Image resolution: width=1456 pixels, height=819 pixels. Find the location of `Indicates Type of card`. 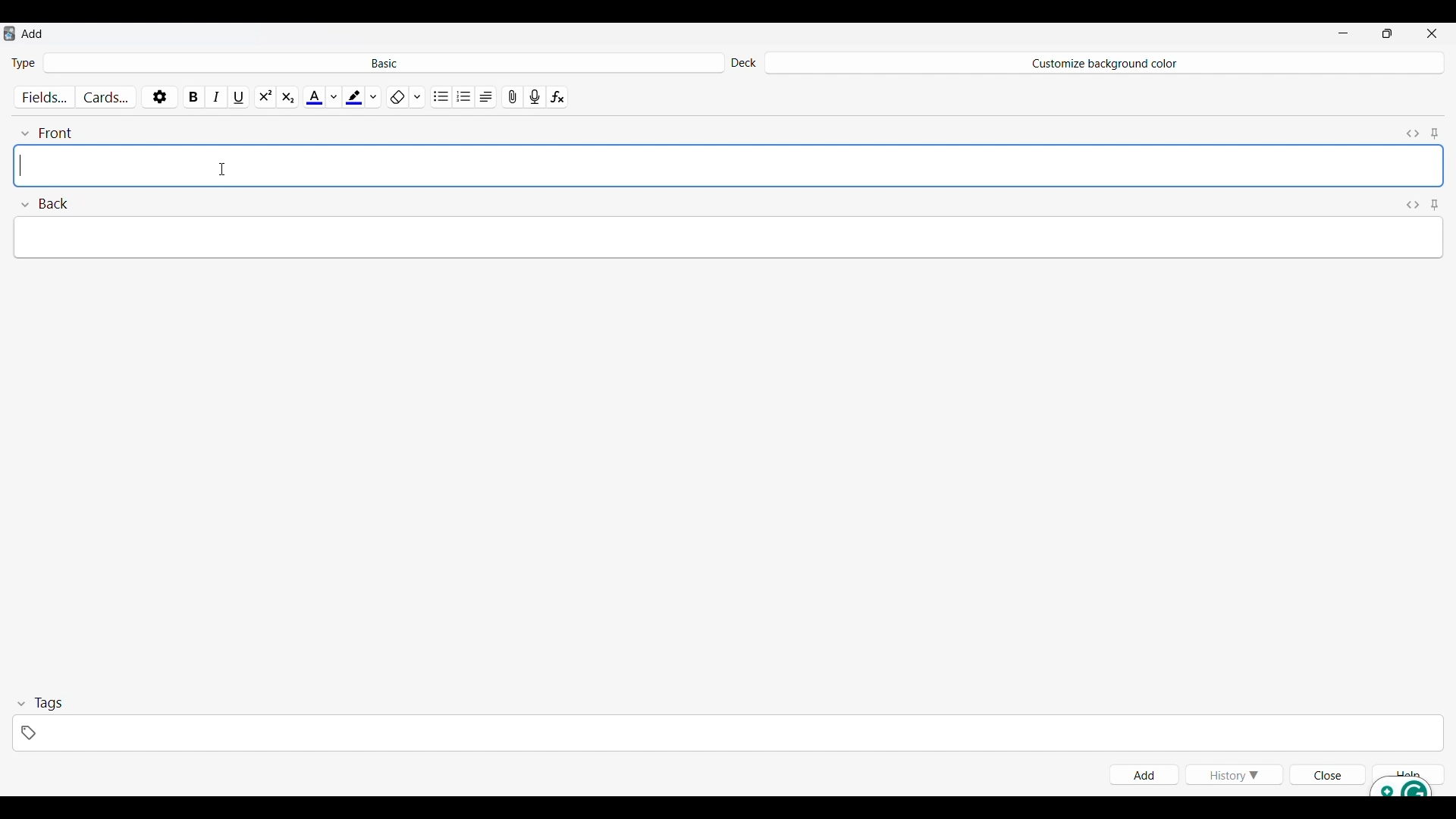

Indicates Type of card is located at coordinates (24, 62).